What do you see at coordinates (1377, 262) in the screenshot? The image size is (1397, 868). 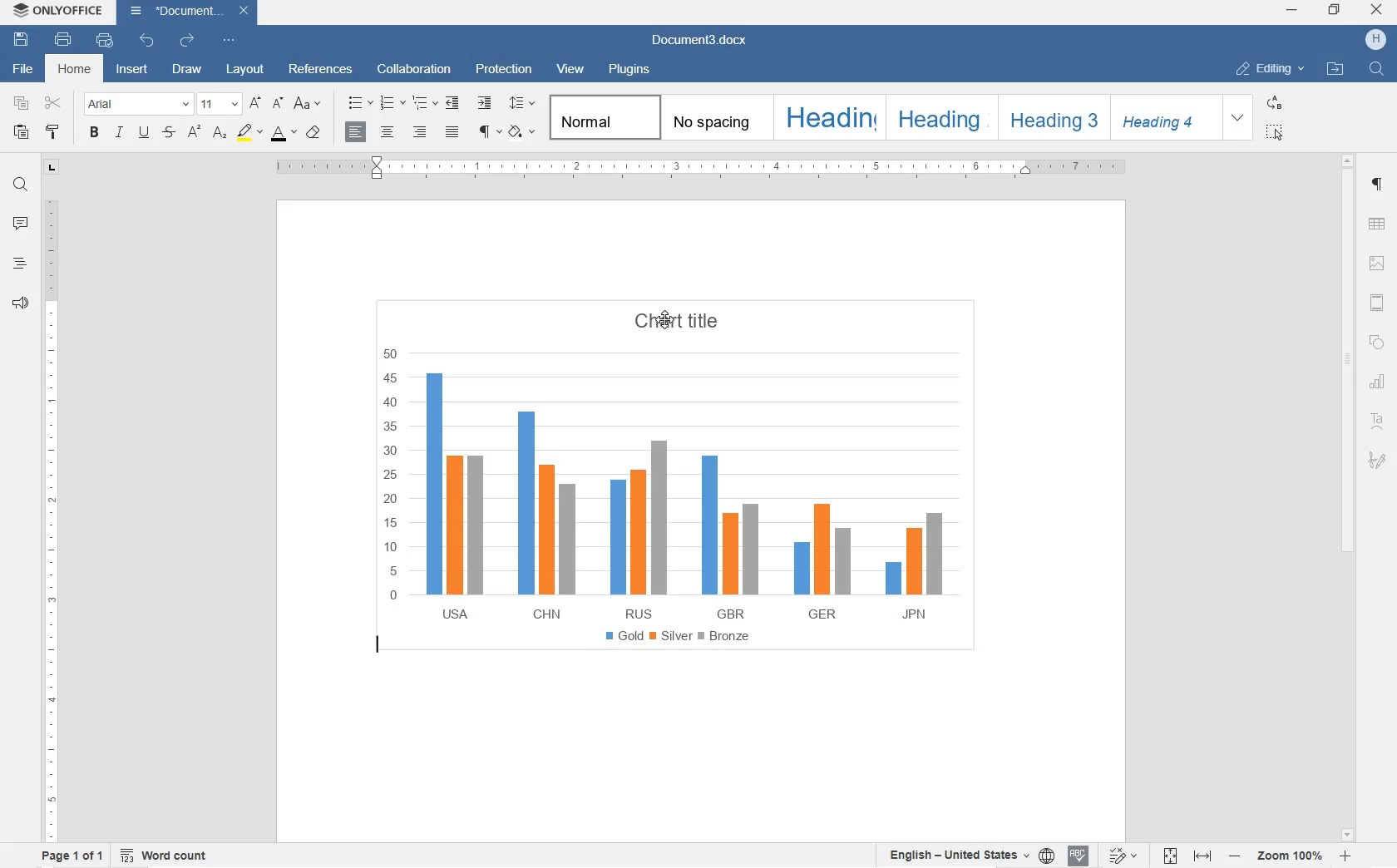 I see `IMAGE SETTINGS` at bounding box center [1377, 262].